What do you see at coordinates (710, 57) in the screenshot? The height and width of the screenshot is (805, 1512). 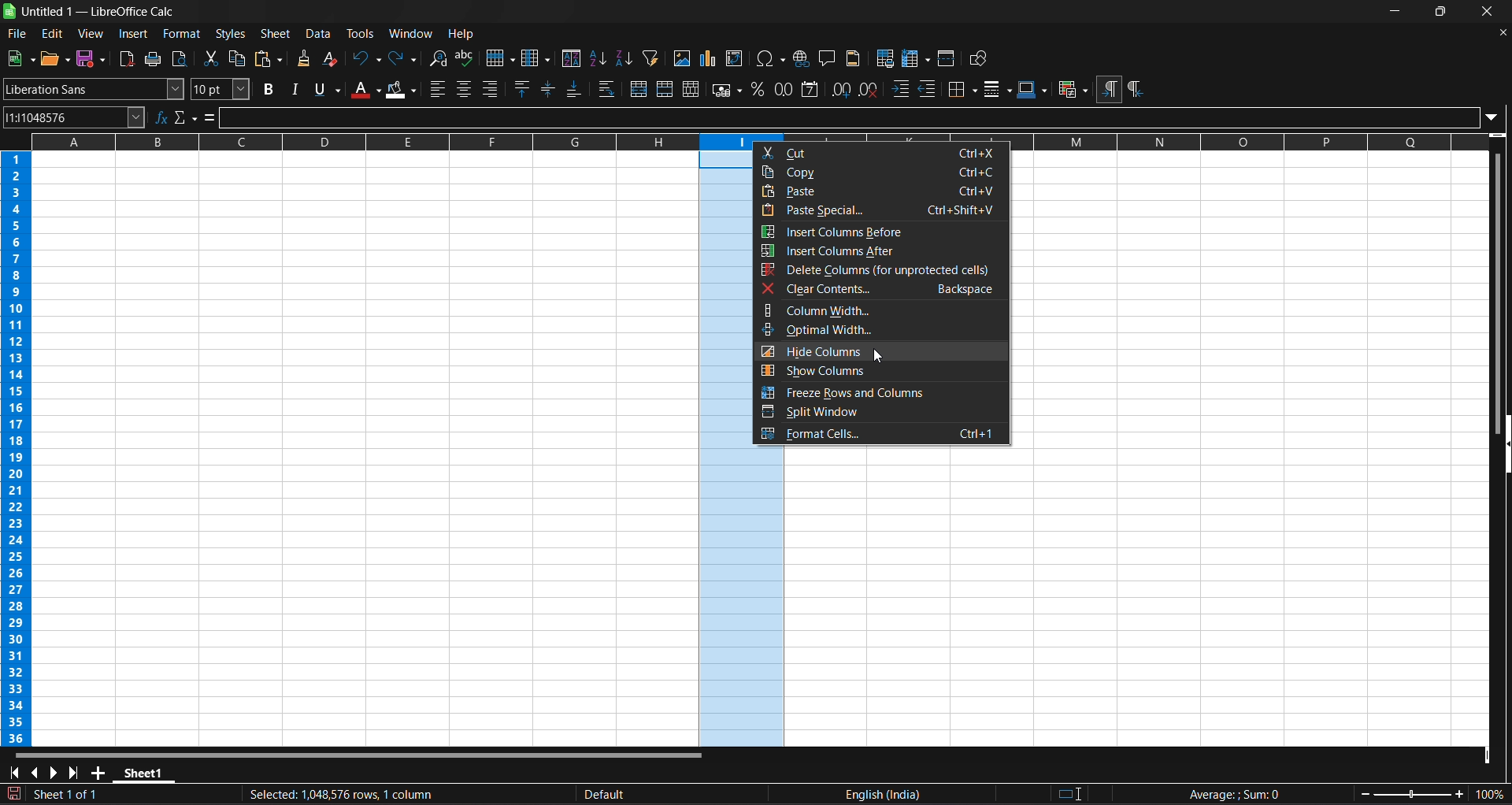 I see `insert chart` at bounding box center [710, 57].